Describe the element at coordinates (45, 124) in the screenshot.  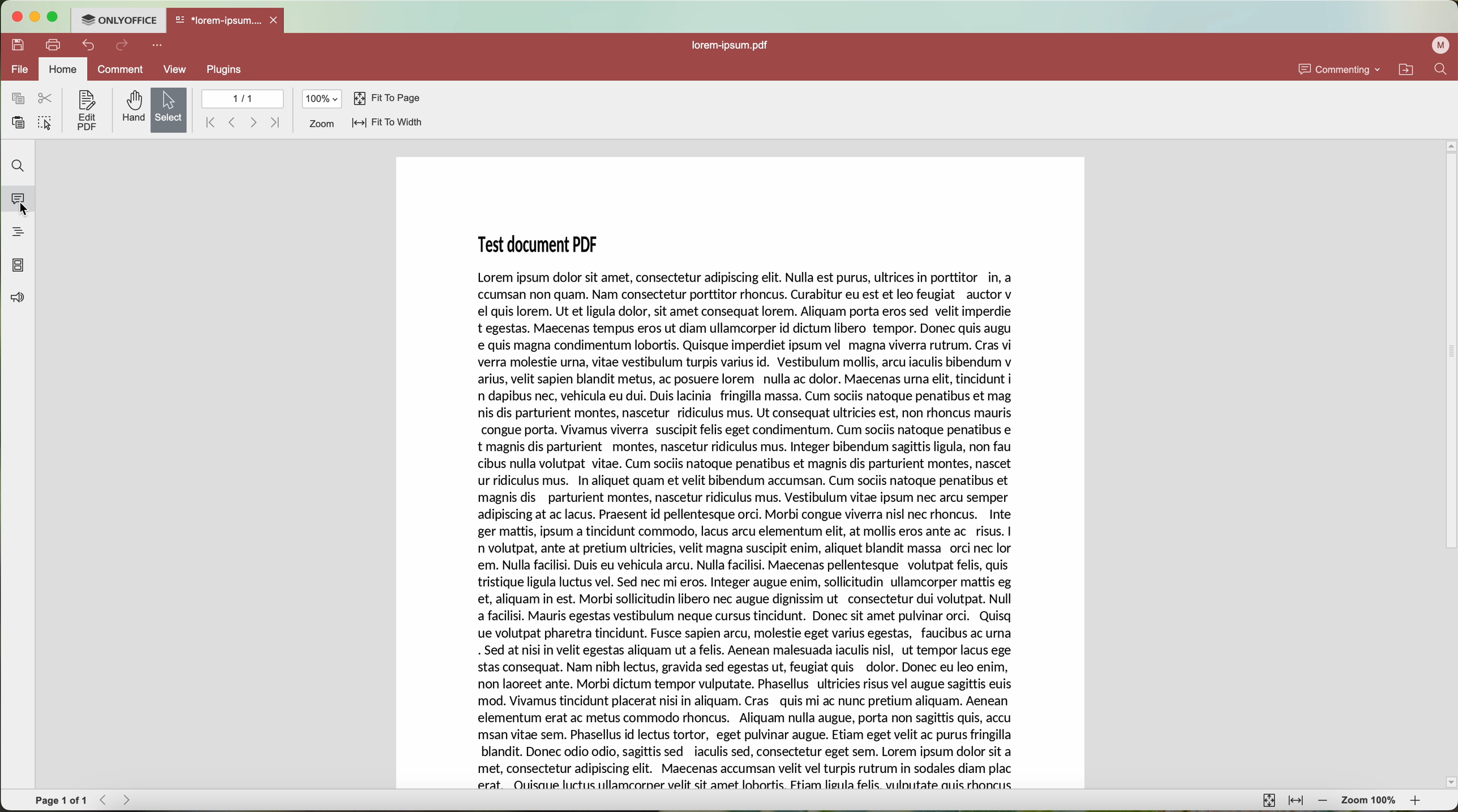
I see `select all` at that location.